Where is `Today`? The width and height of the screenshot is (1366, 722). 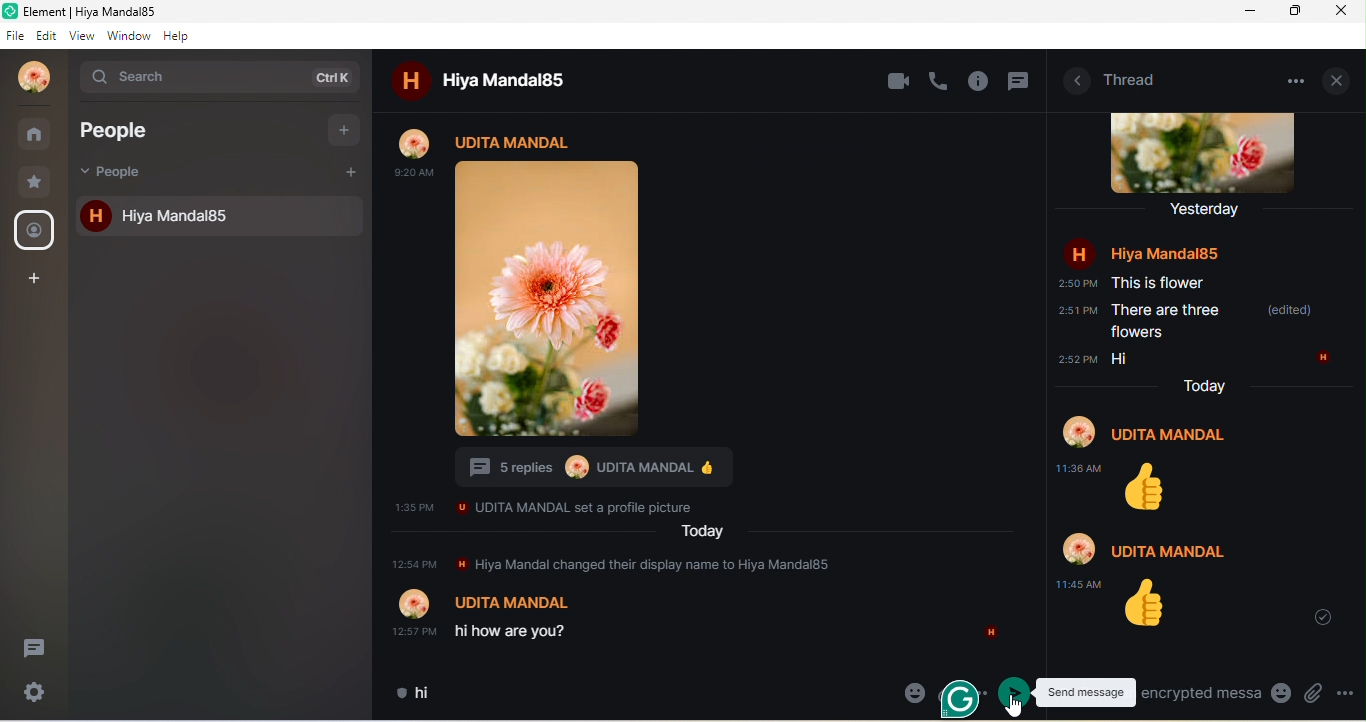 Today is located at coordinates (705, 531).